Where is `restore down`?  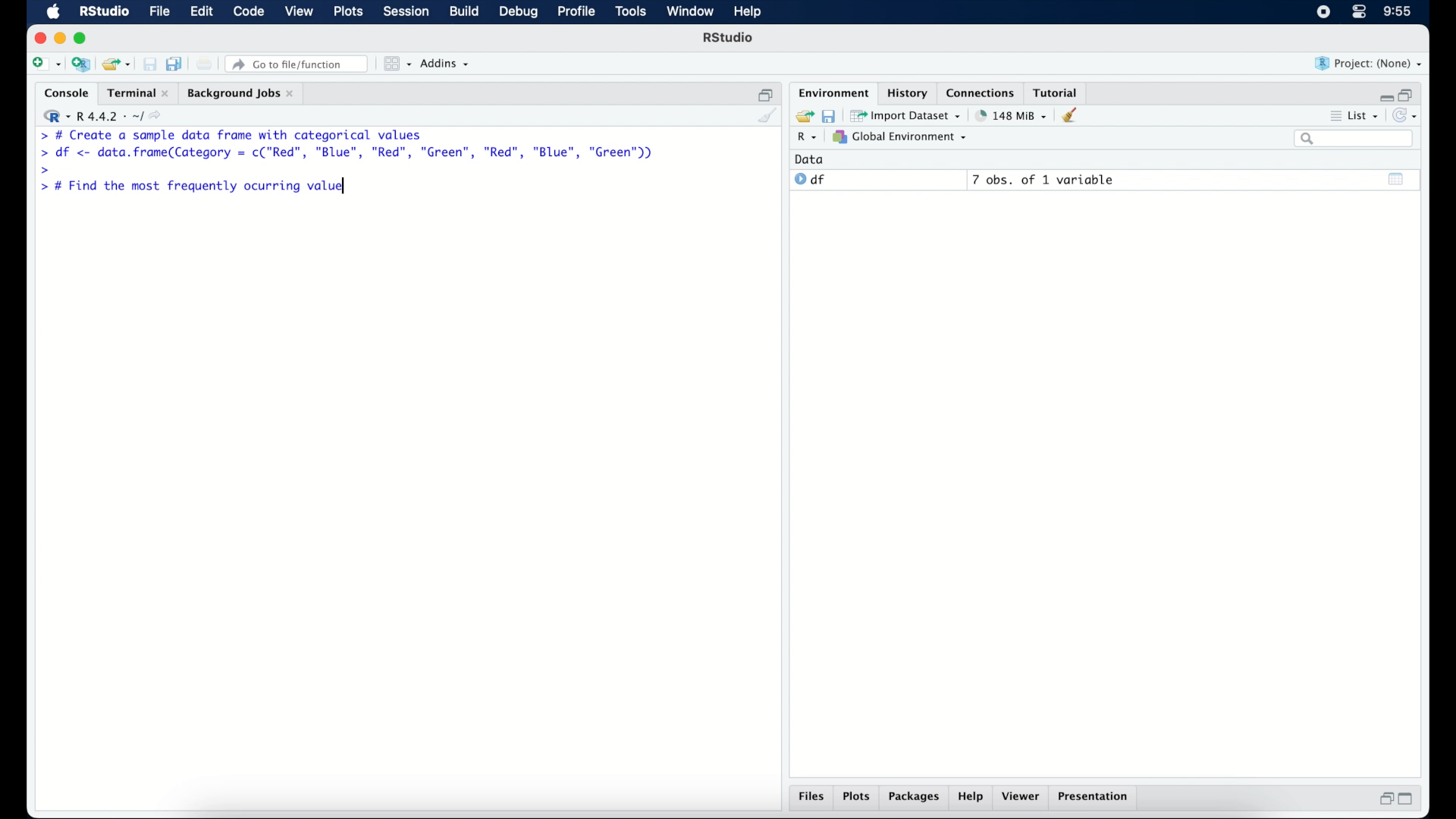 restore down is located at coordinates (764, 92).